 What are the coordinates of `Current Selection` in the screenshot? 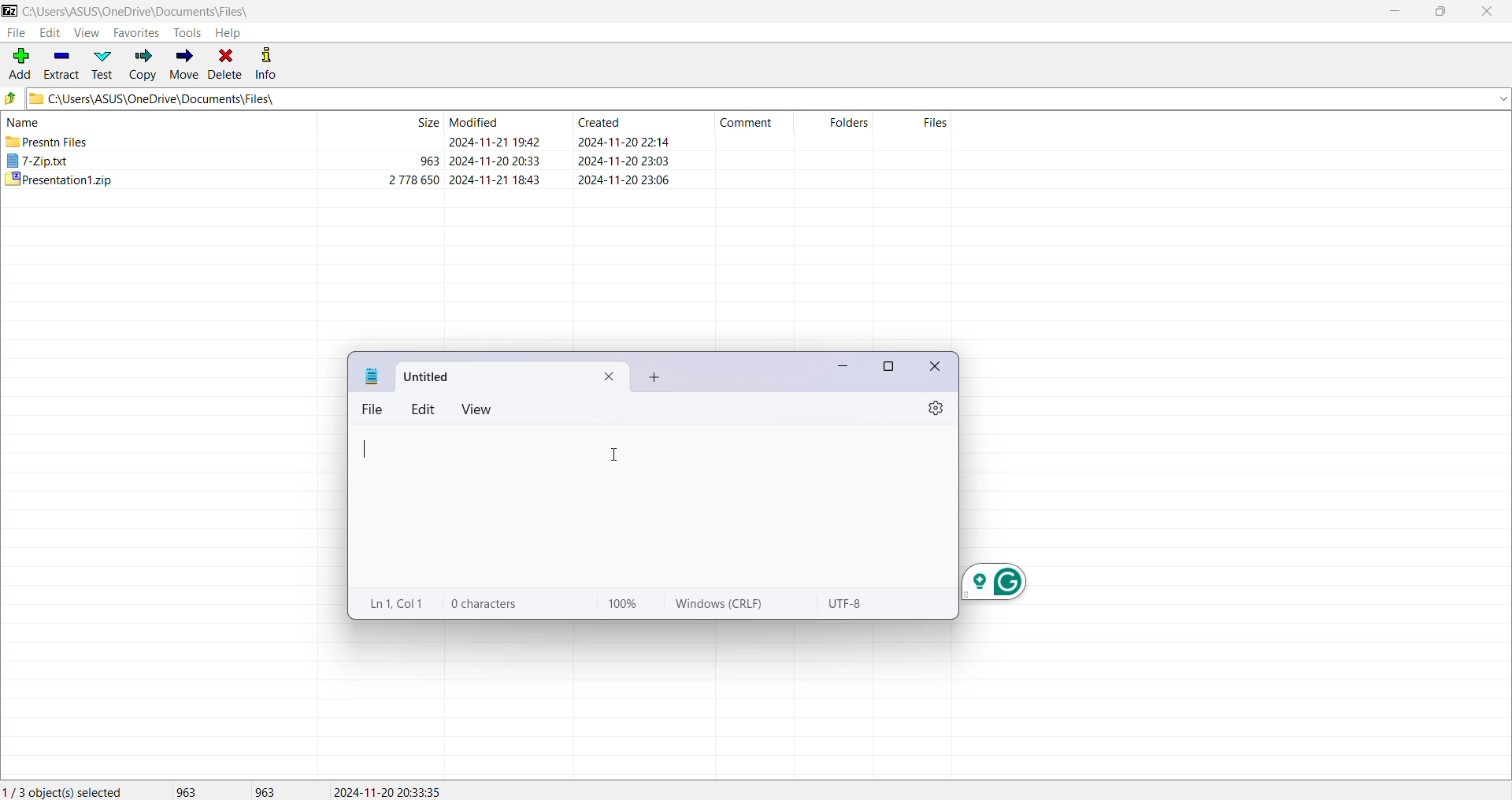 It's located at (65, 791).